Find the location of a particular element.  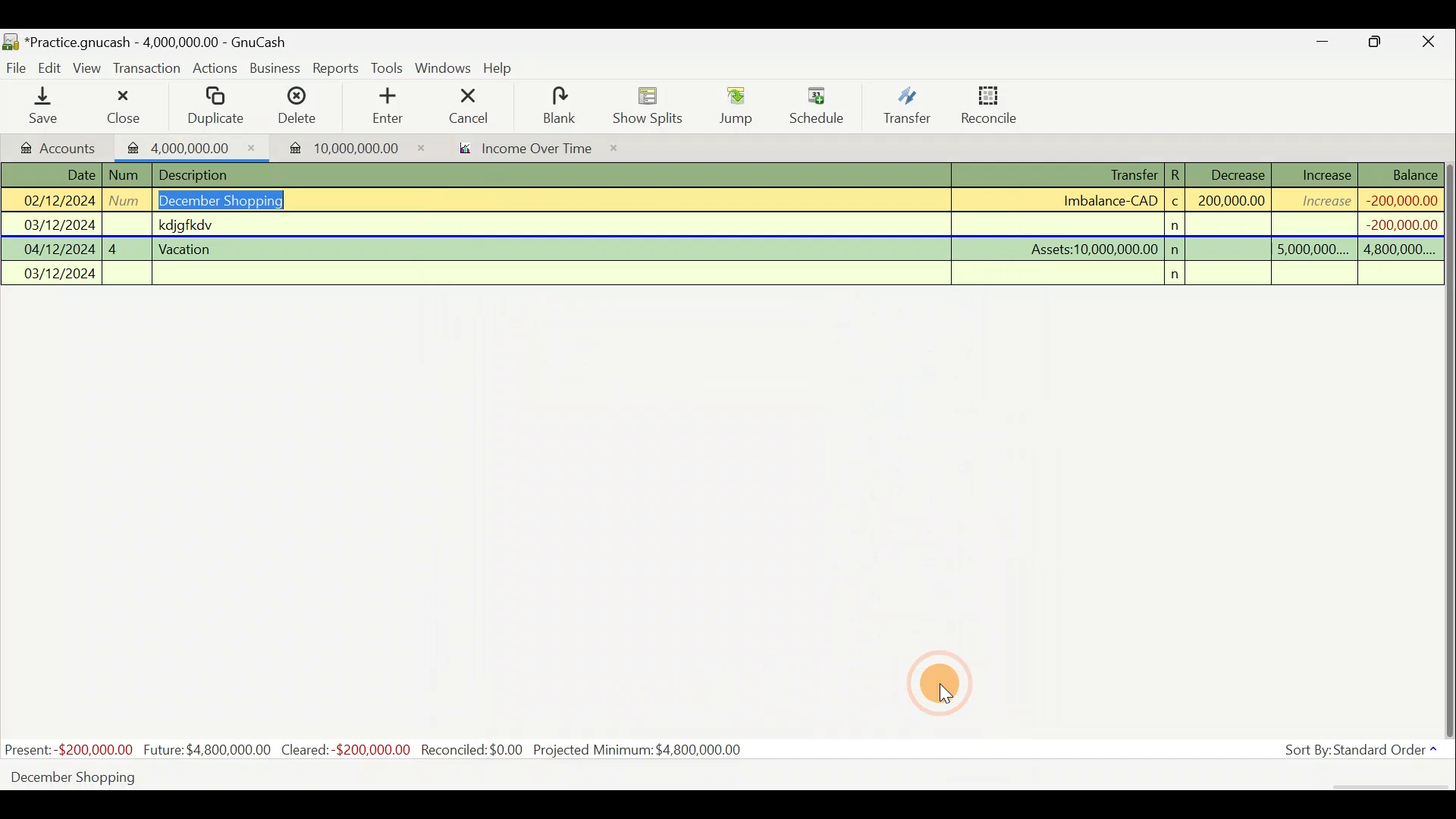

Close is located at coordinates (122, 106).